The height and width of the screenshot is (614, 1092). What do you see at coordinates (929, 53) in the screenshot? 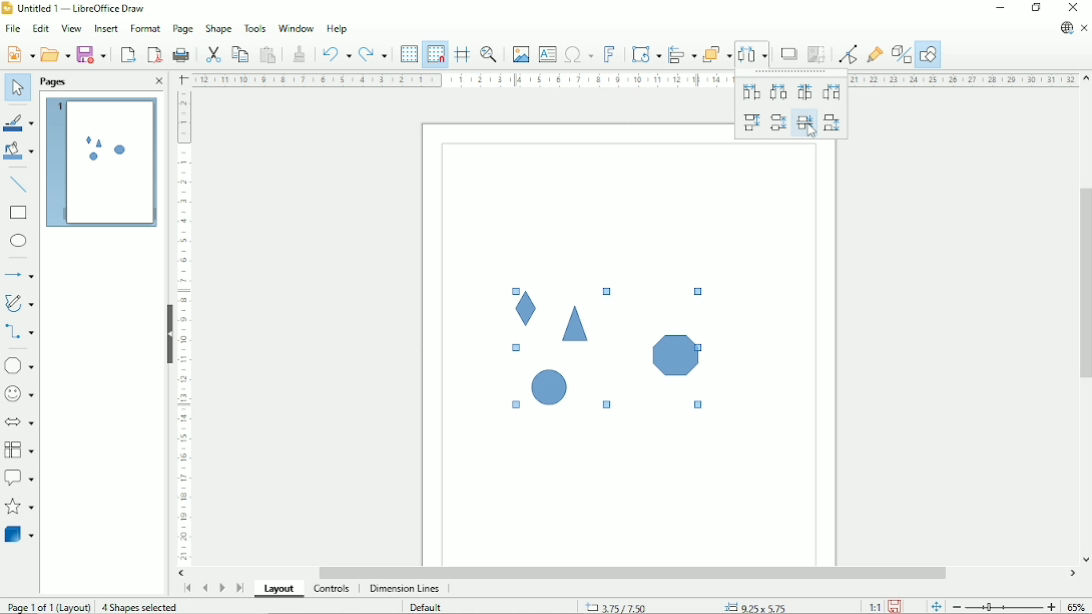
I see `Show draw functions` at bounding box center [929, 53].